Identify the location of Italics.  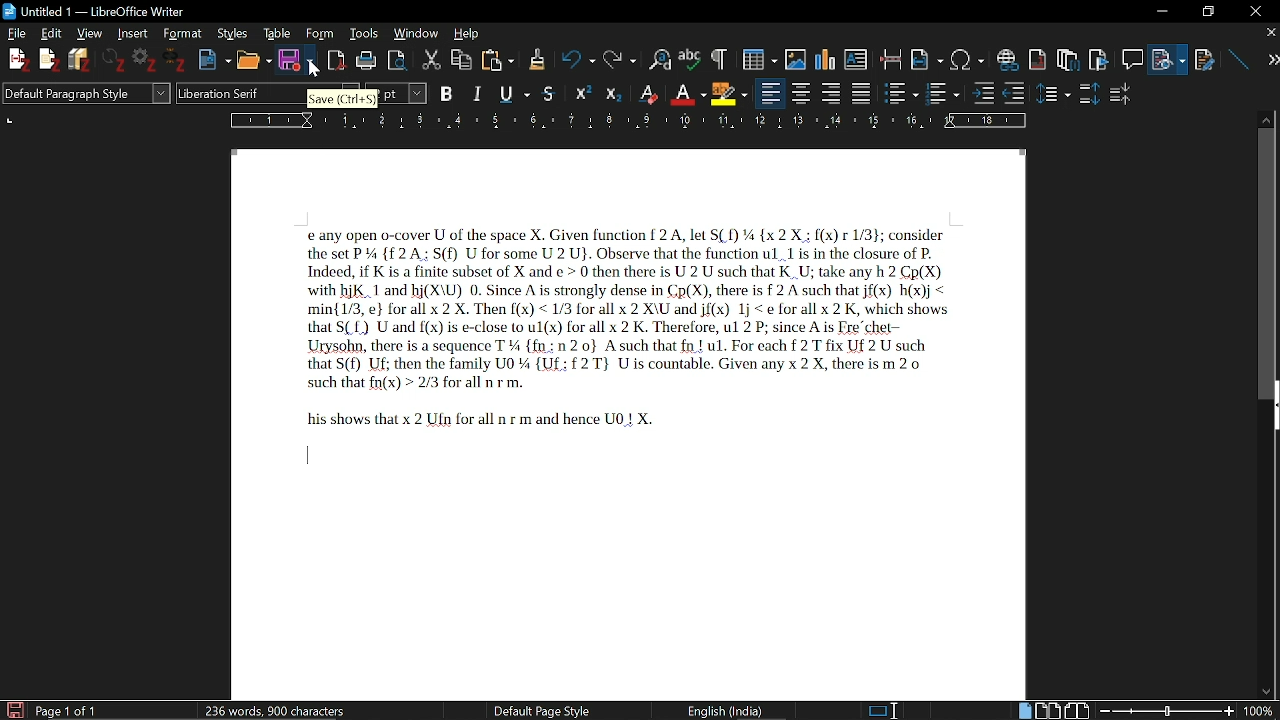
(478, 92).